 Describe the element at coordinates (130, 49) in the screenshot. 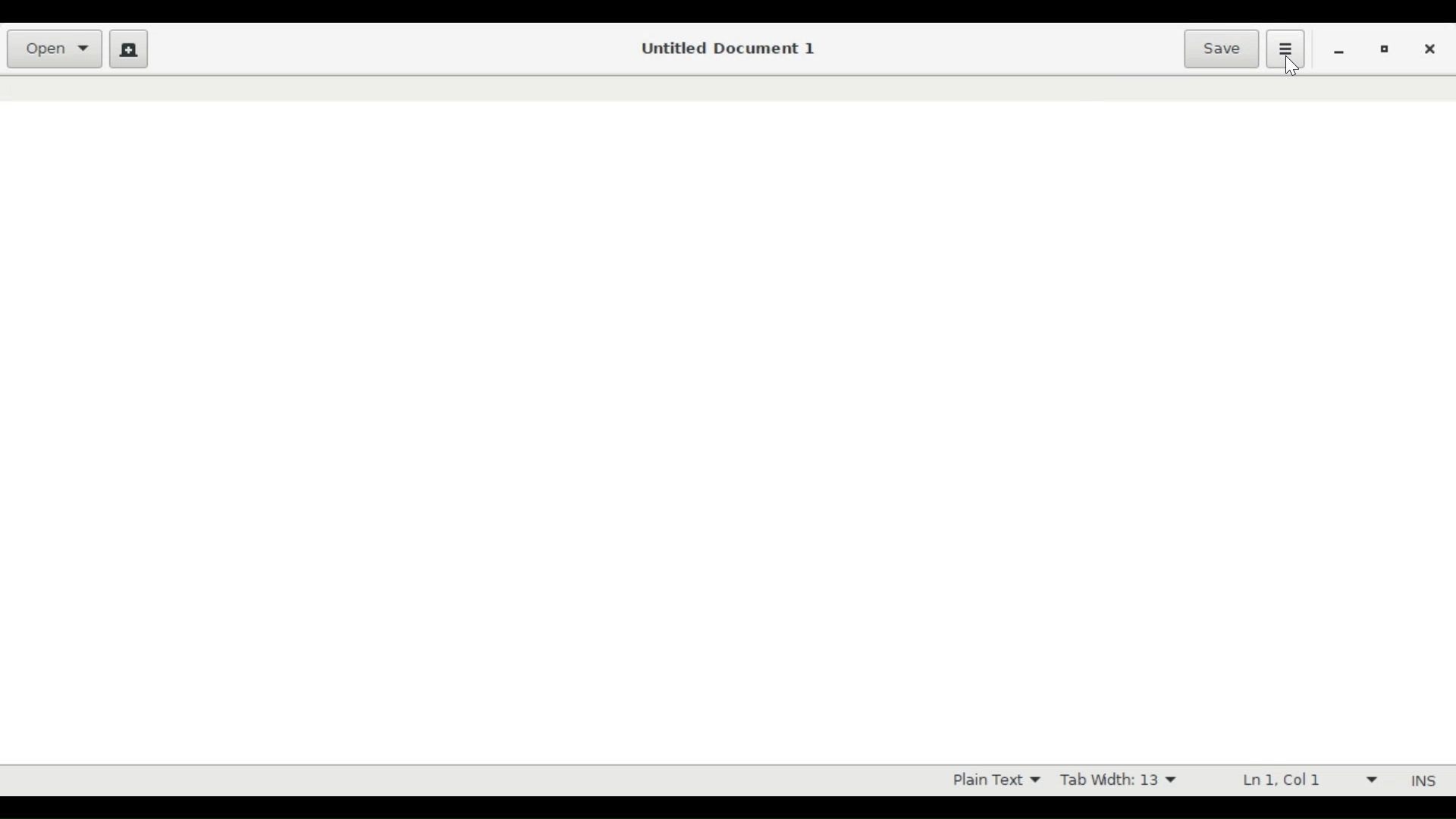

I see `Create new document` at that location.